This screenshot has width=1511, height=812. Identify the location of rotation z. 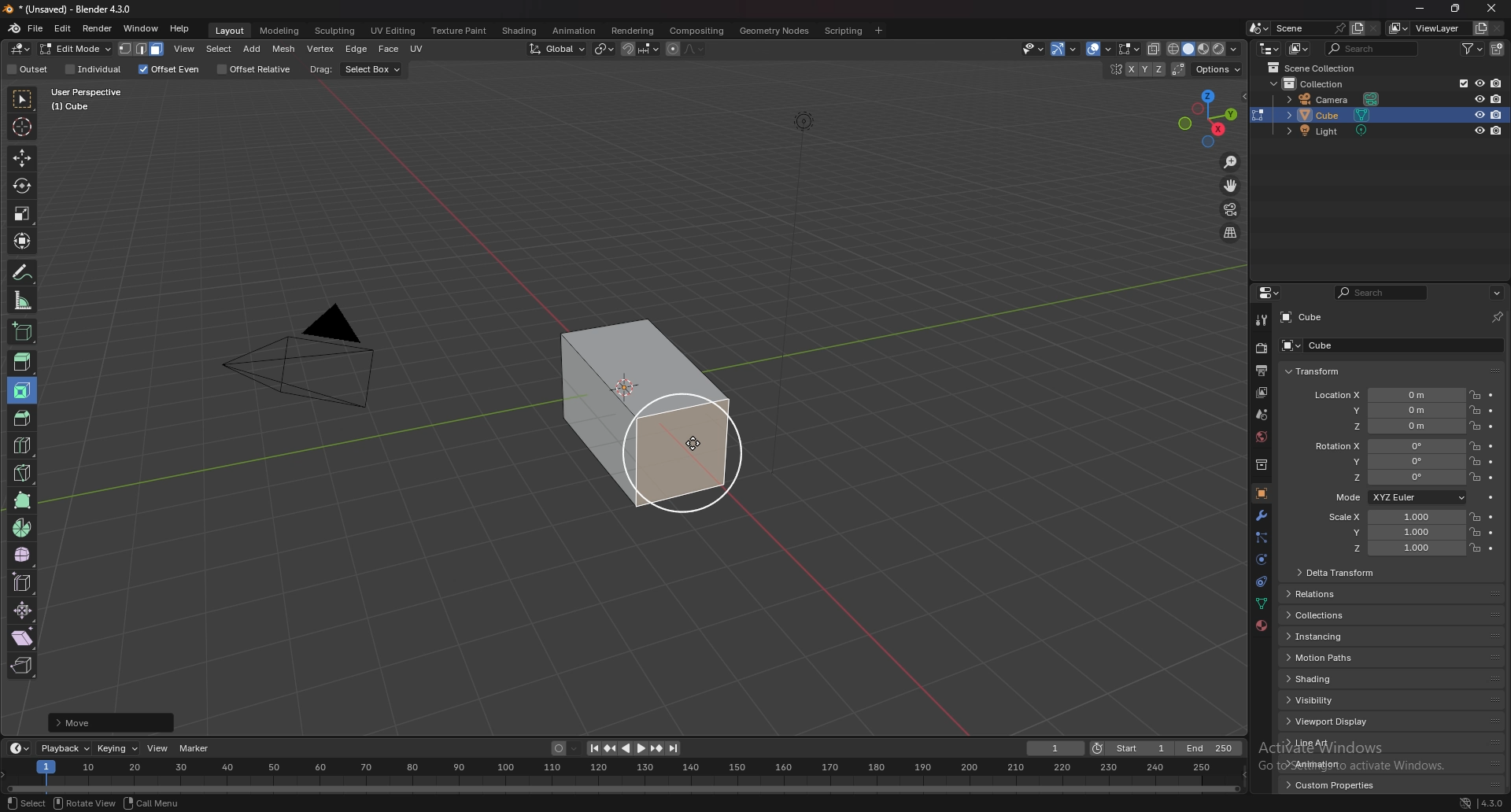
(1394, 478).